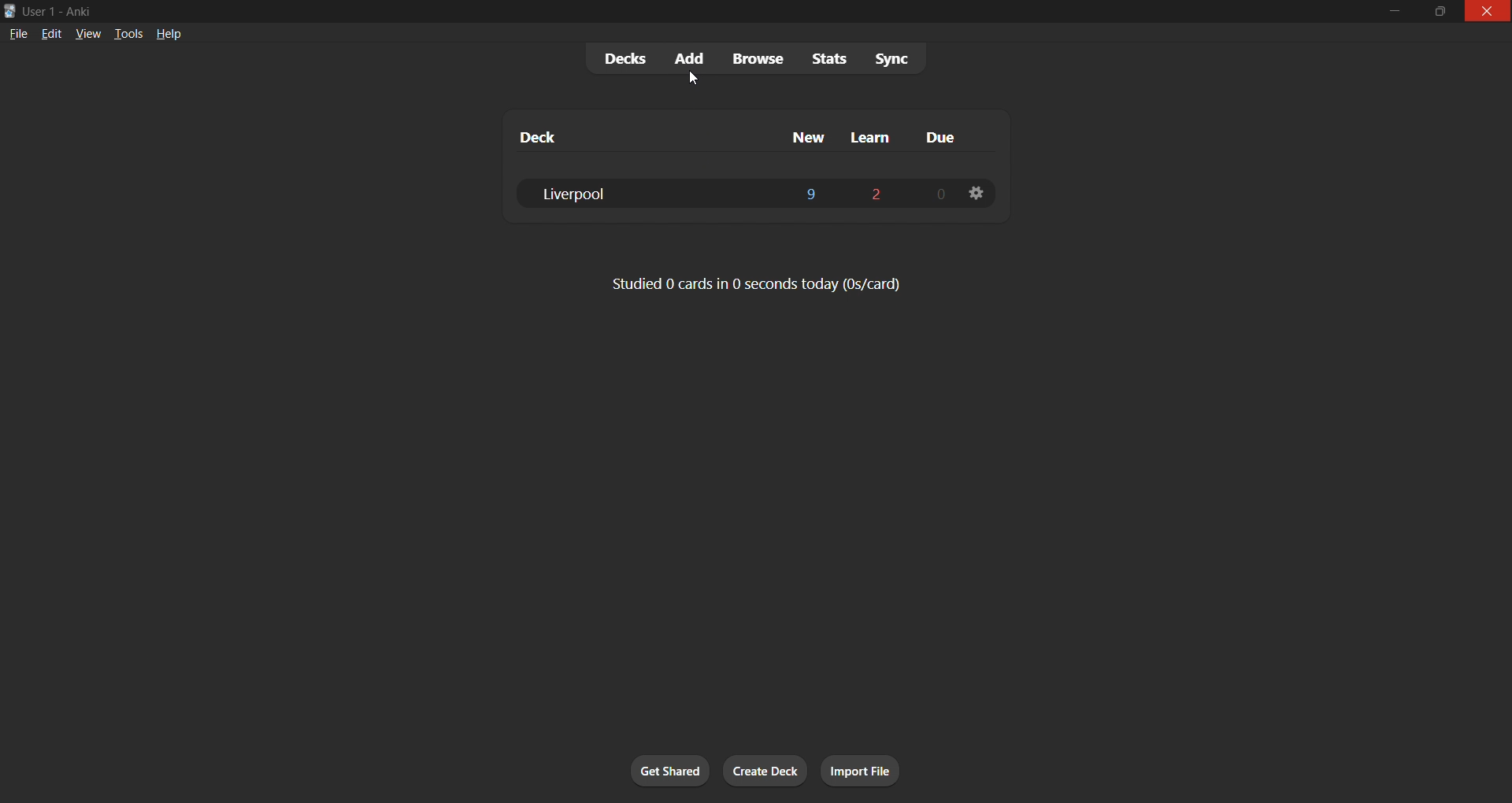 The width and height of the screenshot is (1512, 803). What do you see at coordinates (762, 57) in the screenshot?
I see `browse` at bounding box center [762, 57].